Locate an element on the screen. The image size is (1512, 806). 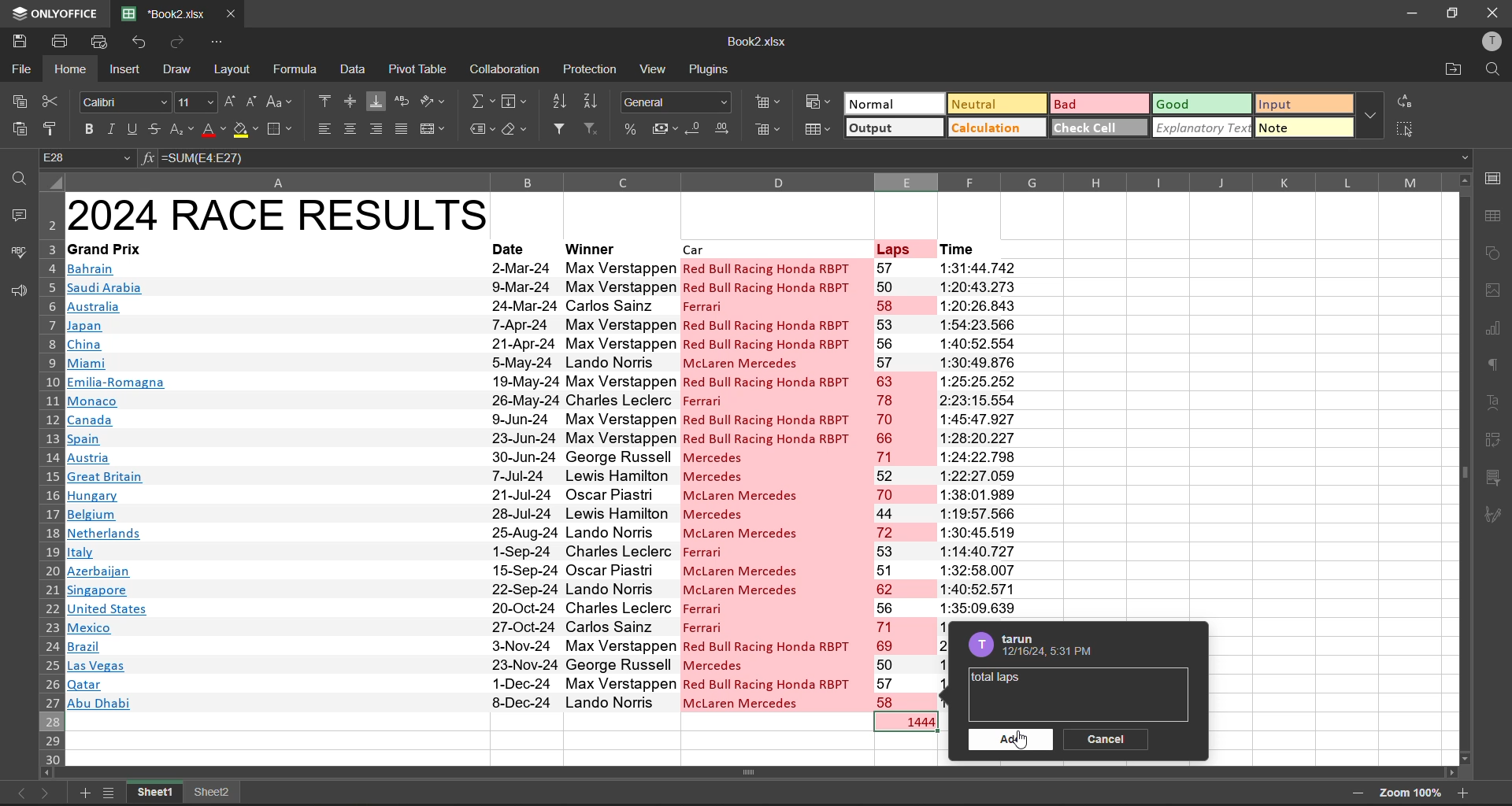
text is located at coordinates (1492, 400).